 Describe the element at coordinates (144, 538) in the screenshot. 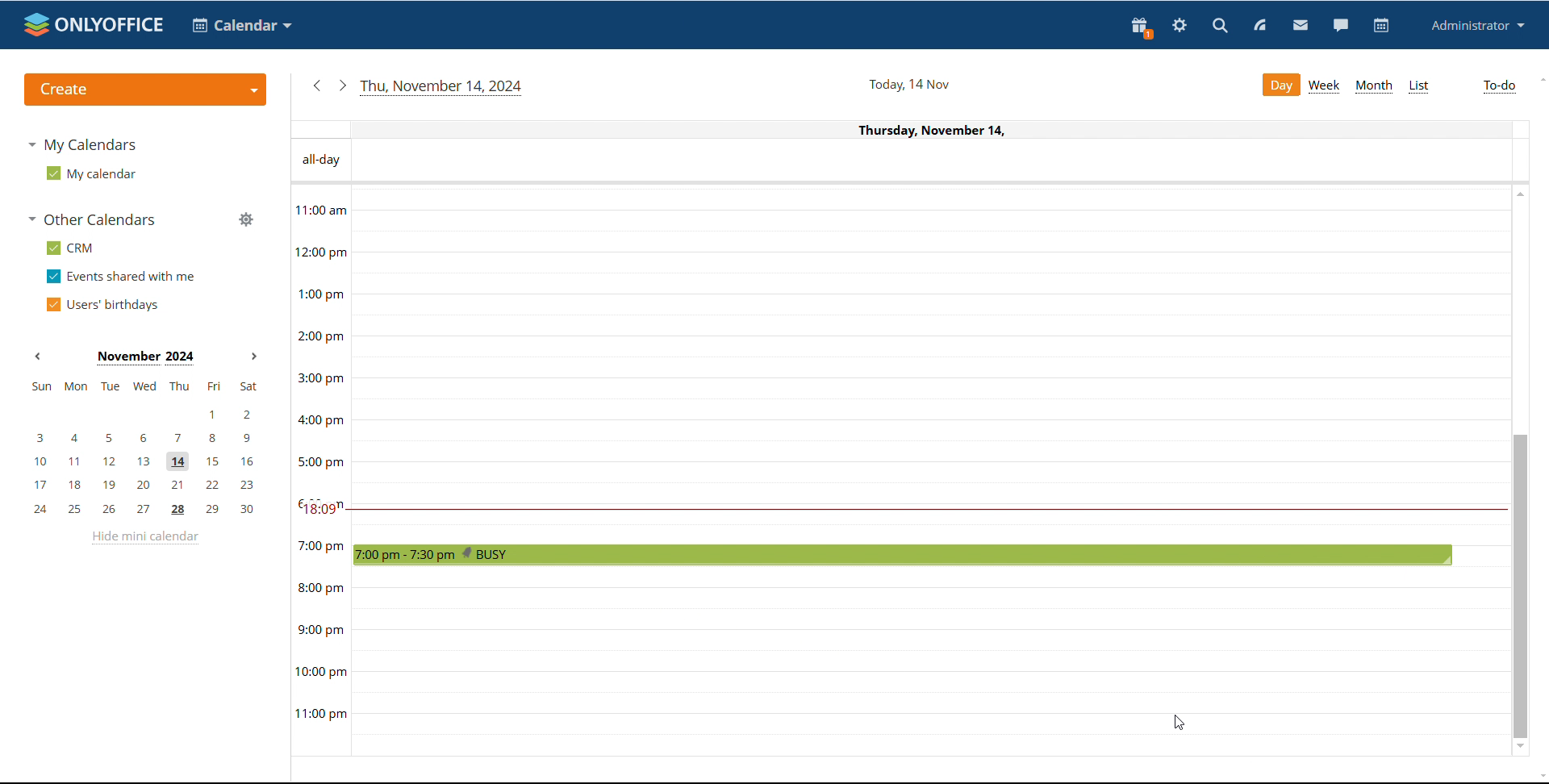

I see `hide mini calendar` at that location.